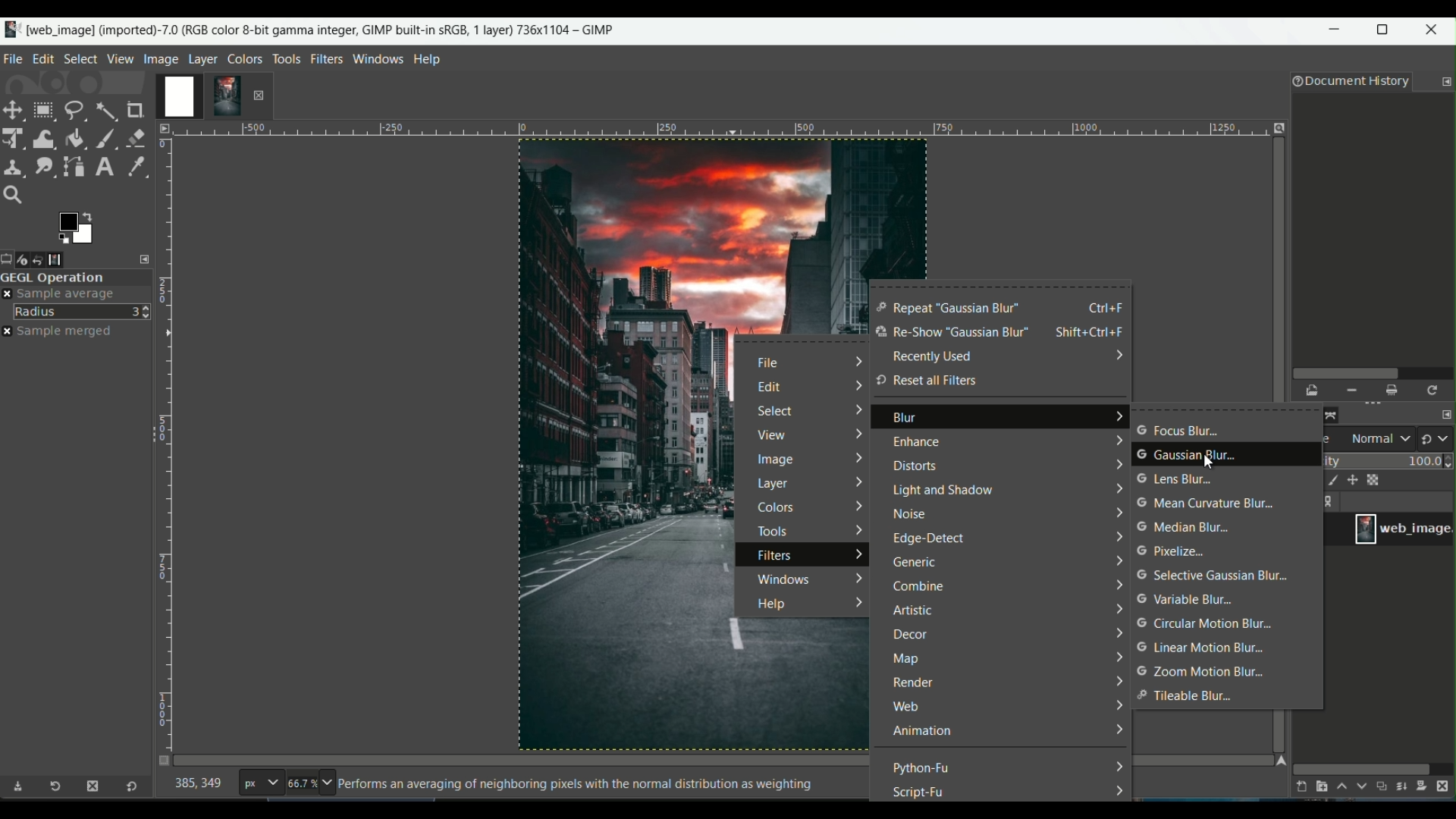 Image resolution: width=1456 pixels, height=819 pixels. I want to click on repeat, so click(948, 309).